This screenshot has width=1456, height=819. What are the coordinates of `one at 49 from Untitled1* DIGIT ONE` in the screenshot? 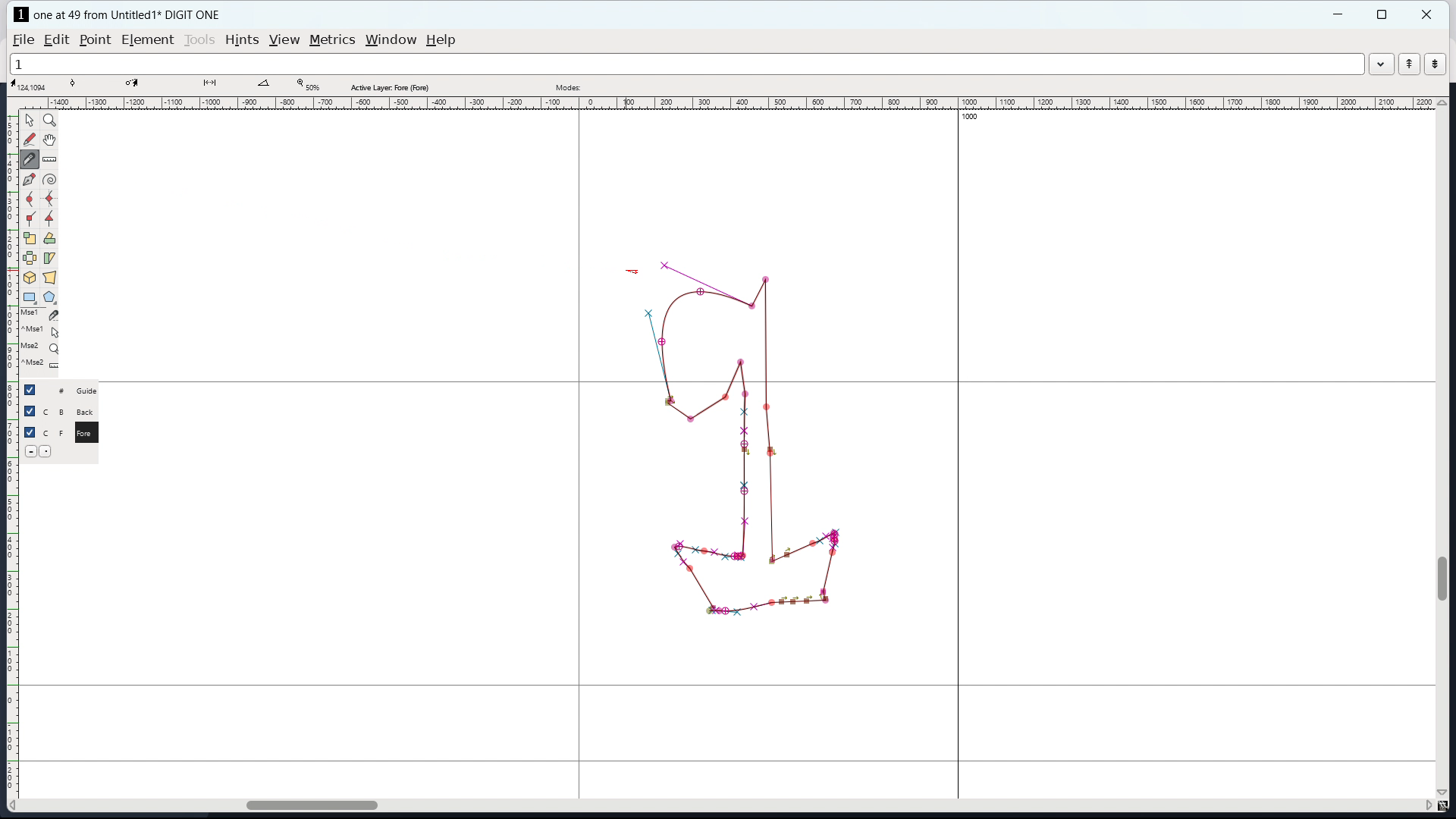 It's located at (135, 14).